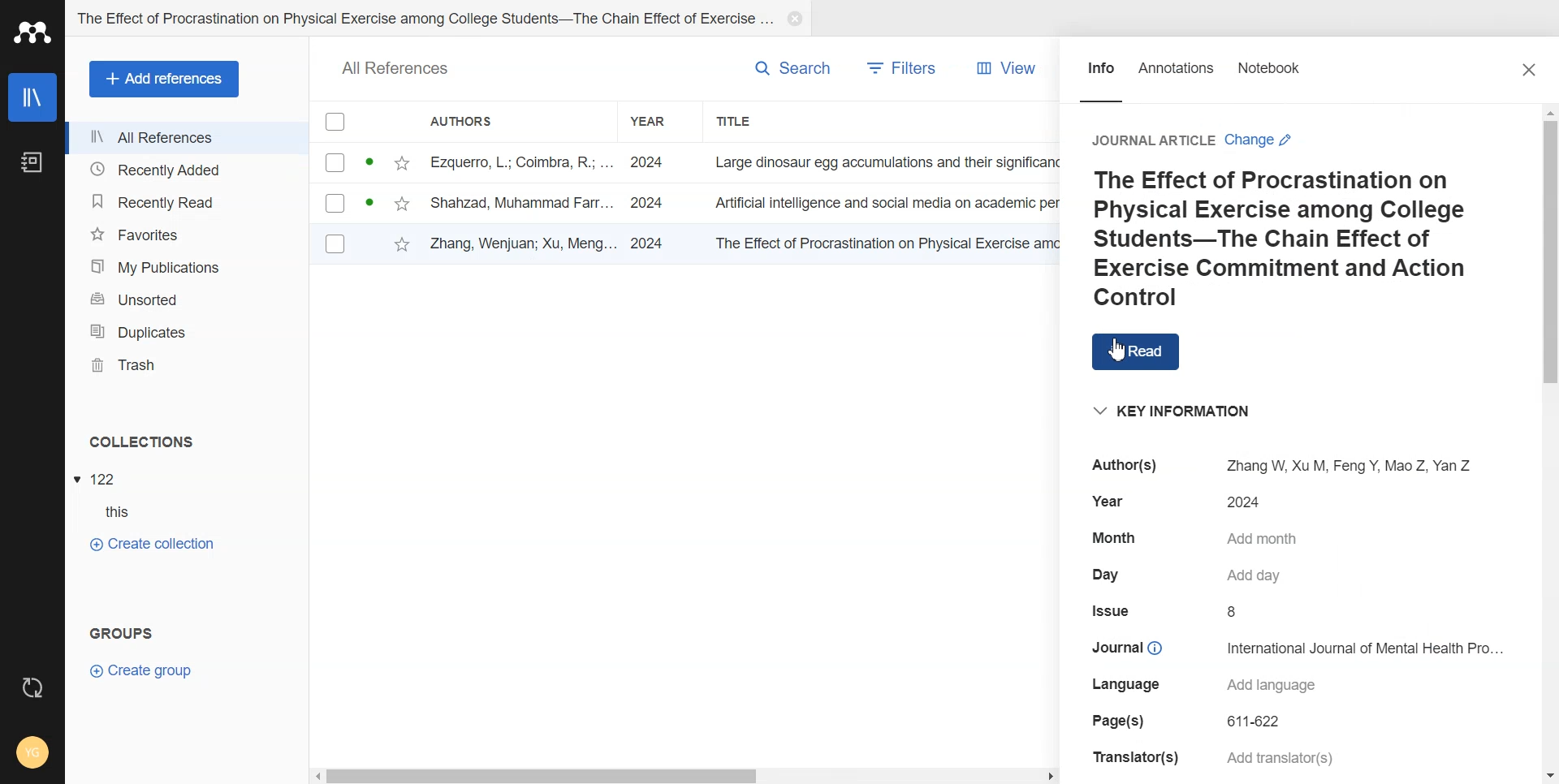  Describe the element at coordinates (1193, 722) in the screenshot. I see `Page(s) 611-622` at that location.